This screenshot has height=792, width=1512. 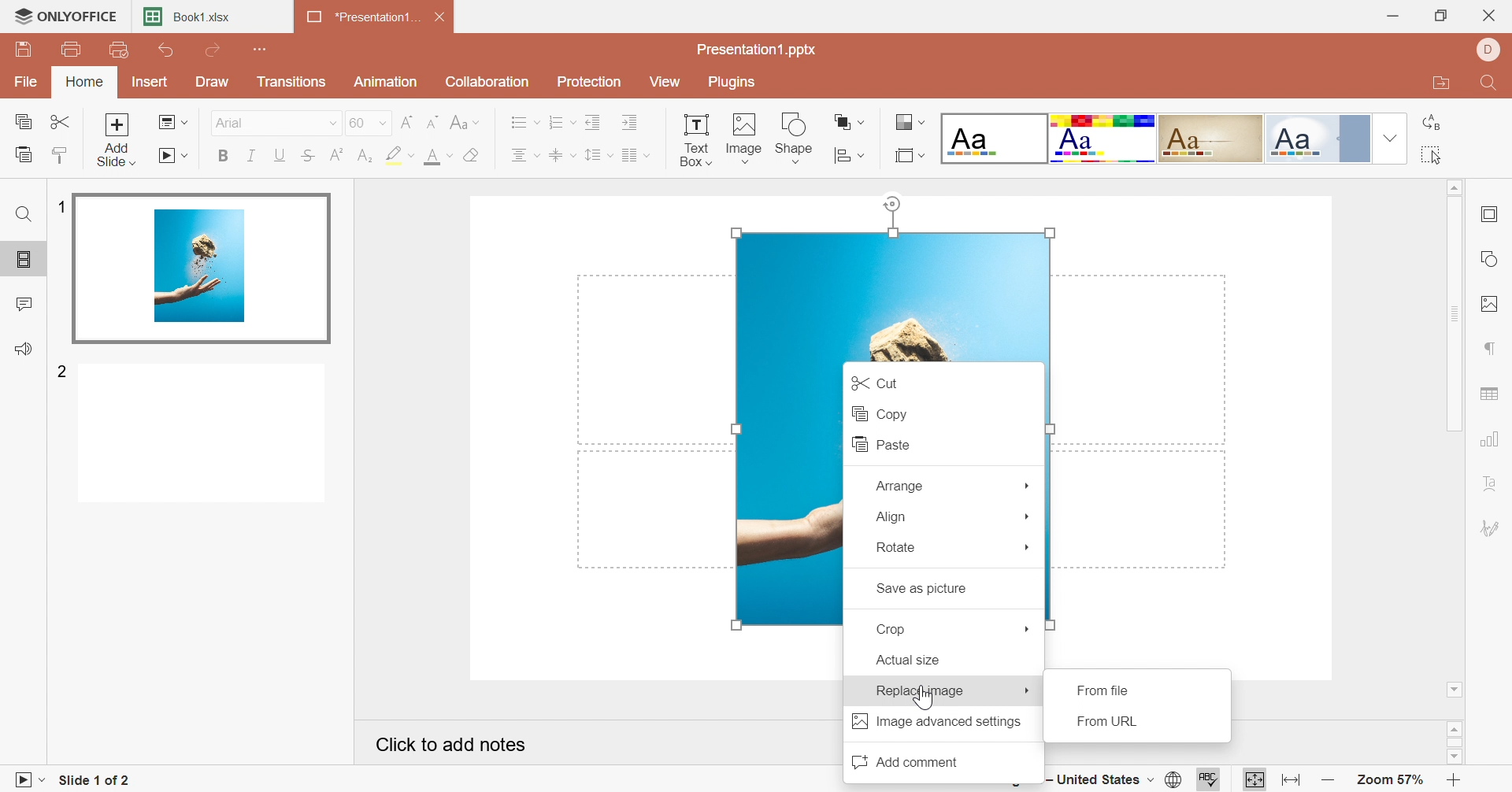 What do you see at coordinates (908, 122) in the screenshot?
I see `Change color theme` at bounding box center [908, 122].